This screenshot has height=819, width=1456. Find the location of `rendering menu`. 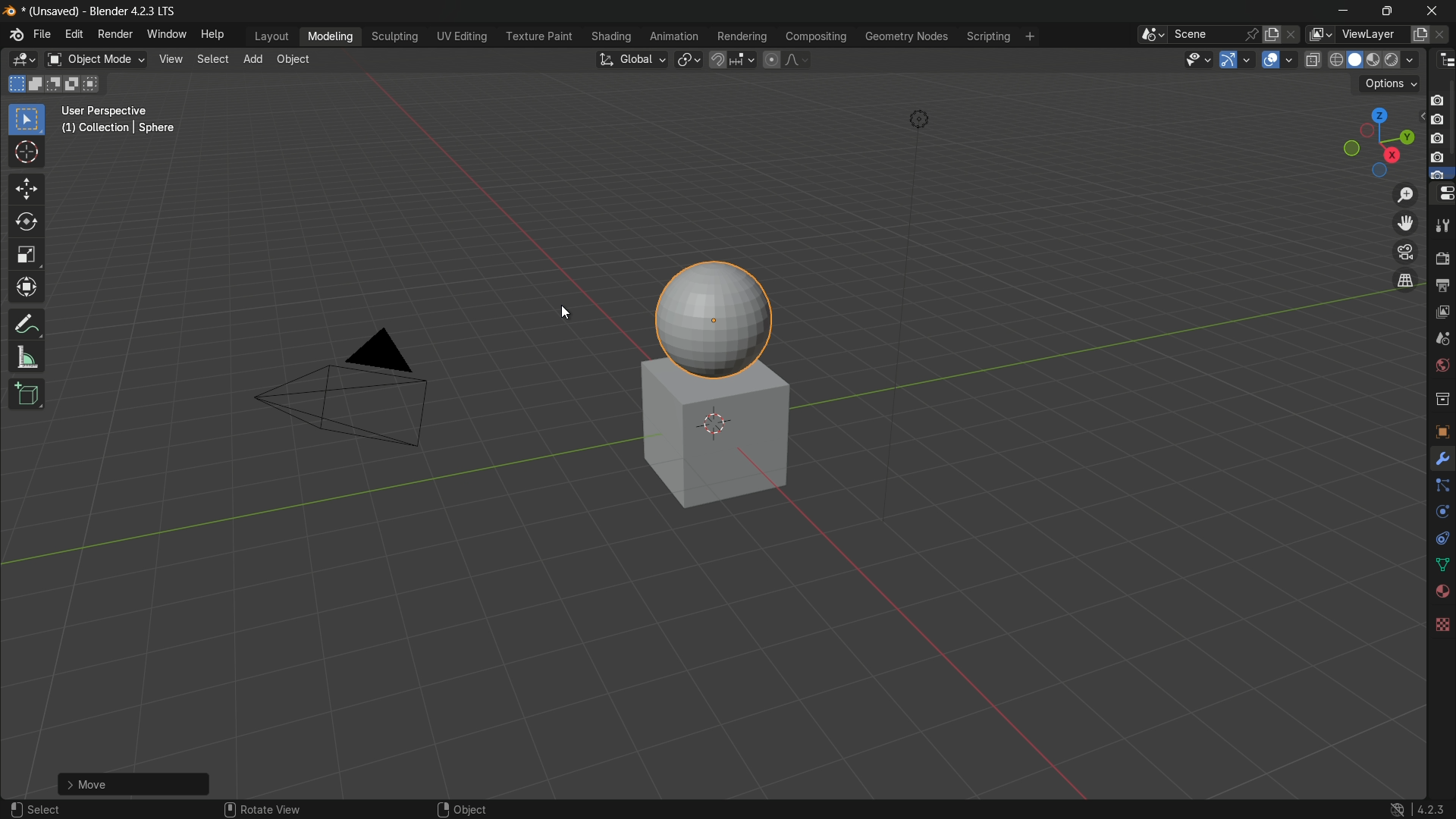

rendering menu is located at coordinates (742, 36).